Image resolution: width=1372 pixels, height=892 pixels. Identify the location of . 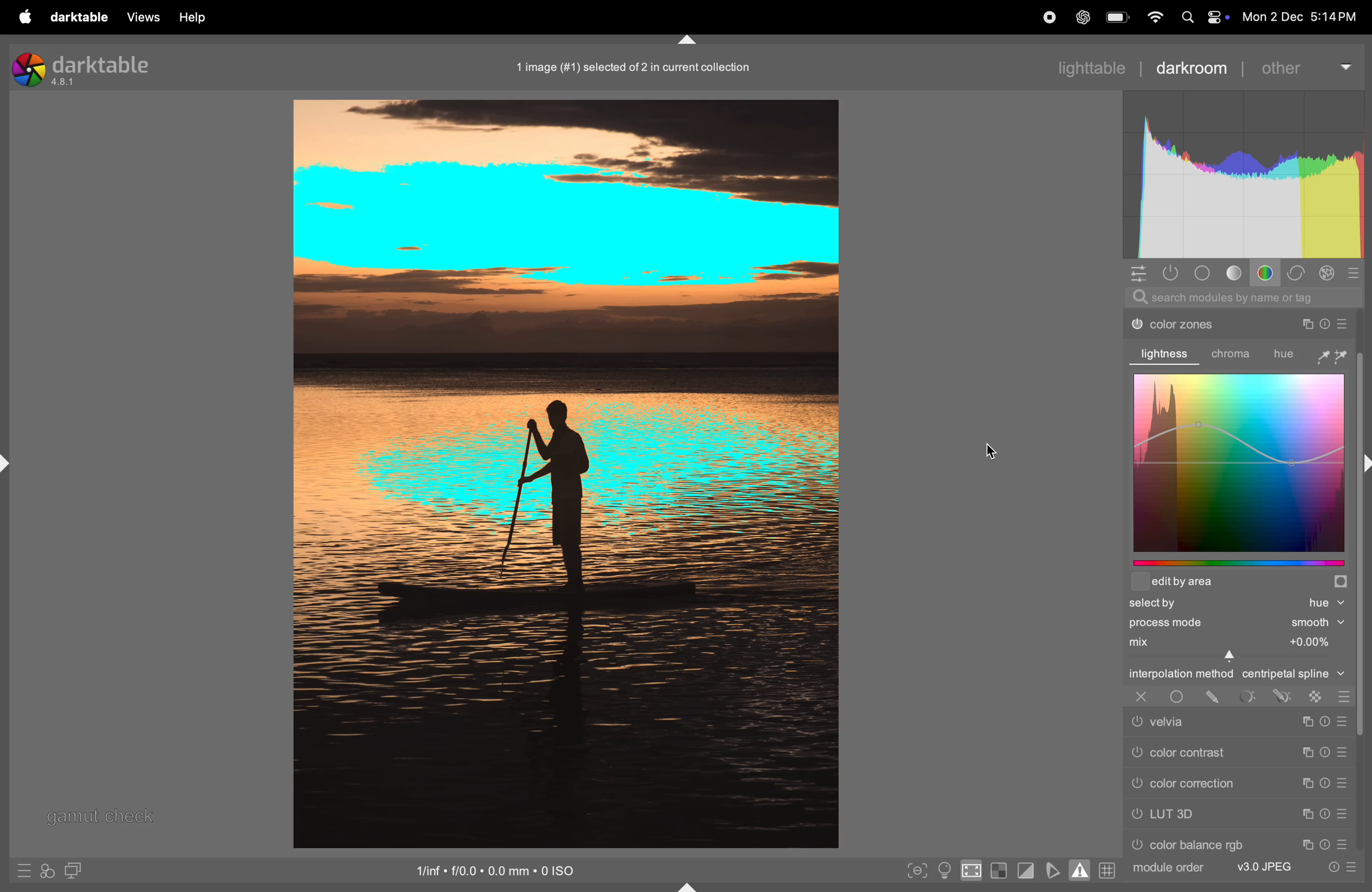
(1175, 695).